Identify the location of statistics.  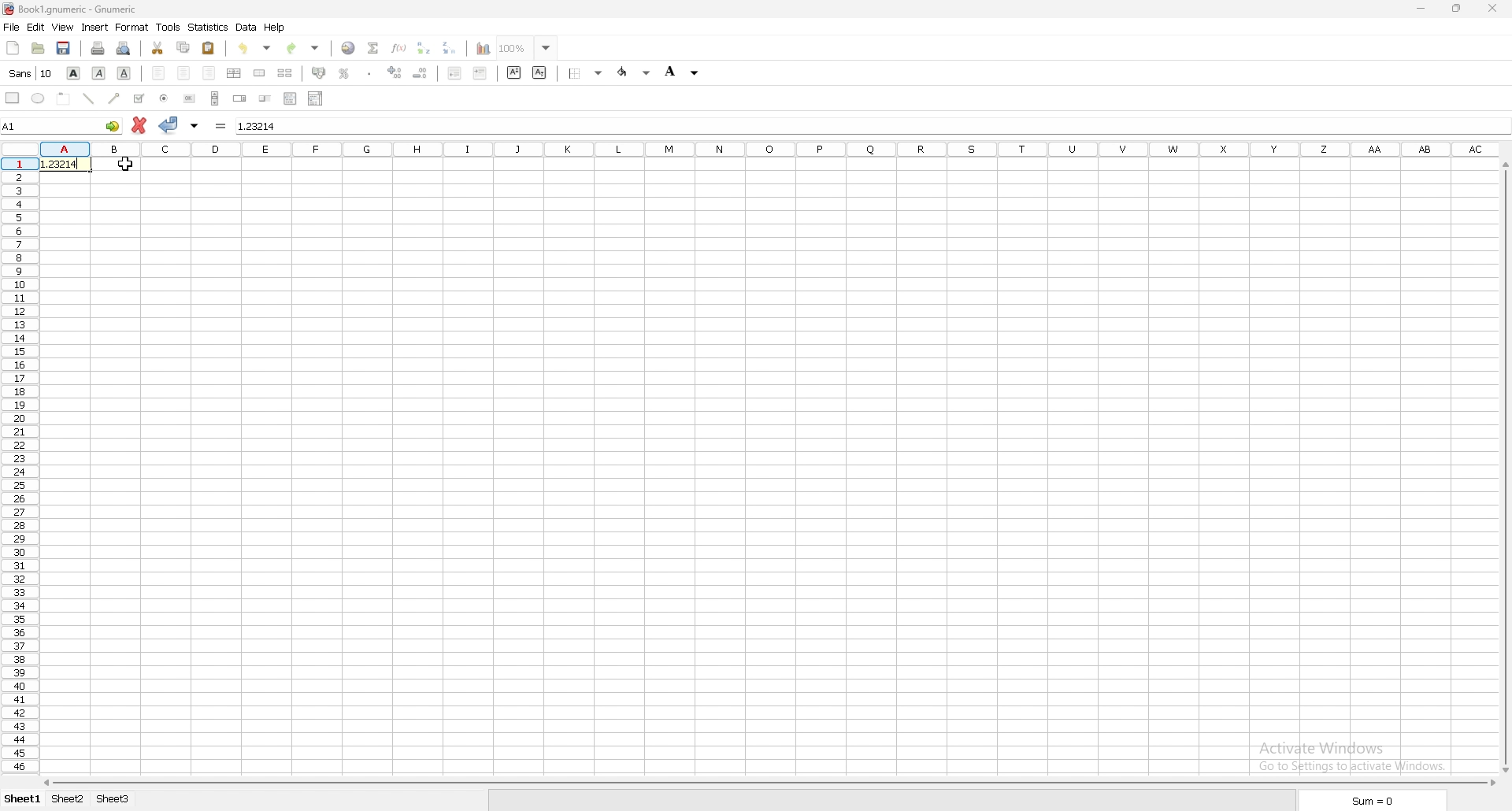
(208, 27).